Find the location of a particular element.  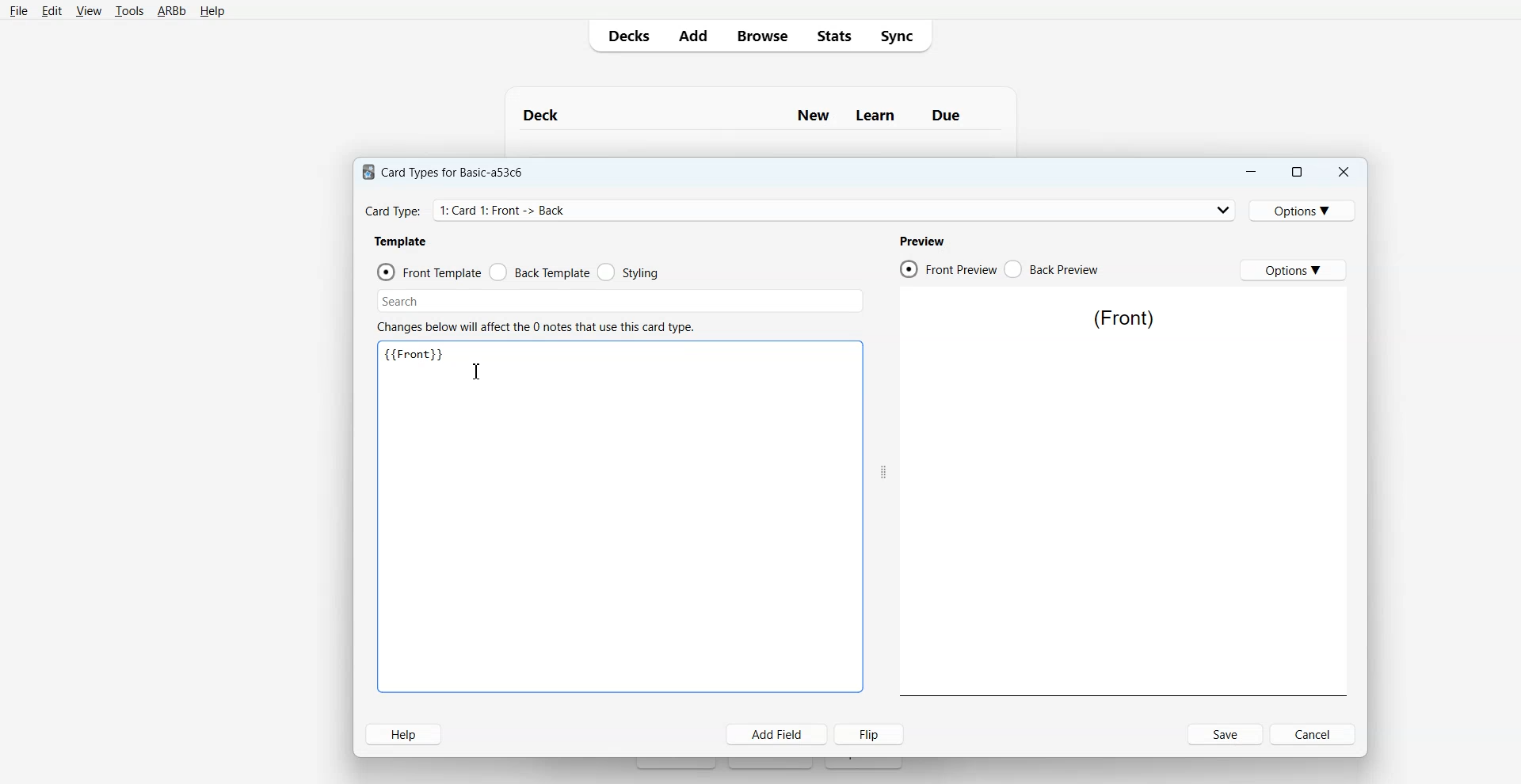

Add Field is located at coordinates (777, 734).